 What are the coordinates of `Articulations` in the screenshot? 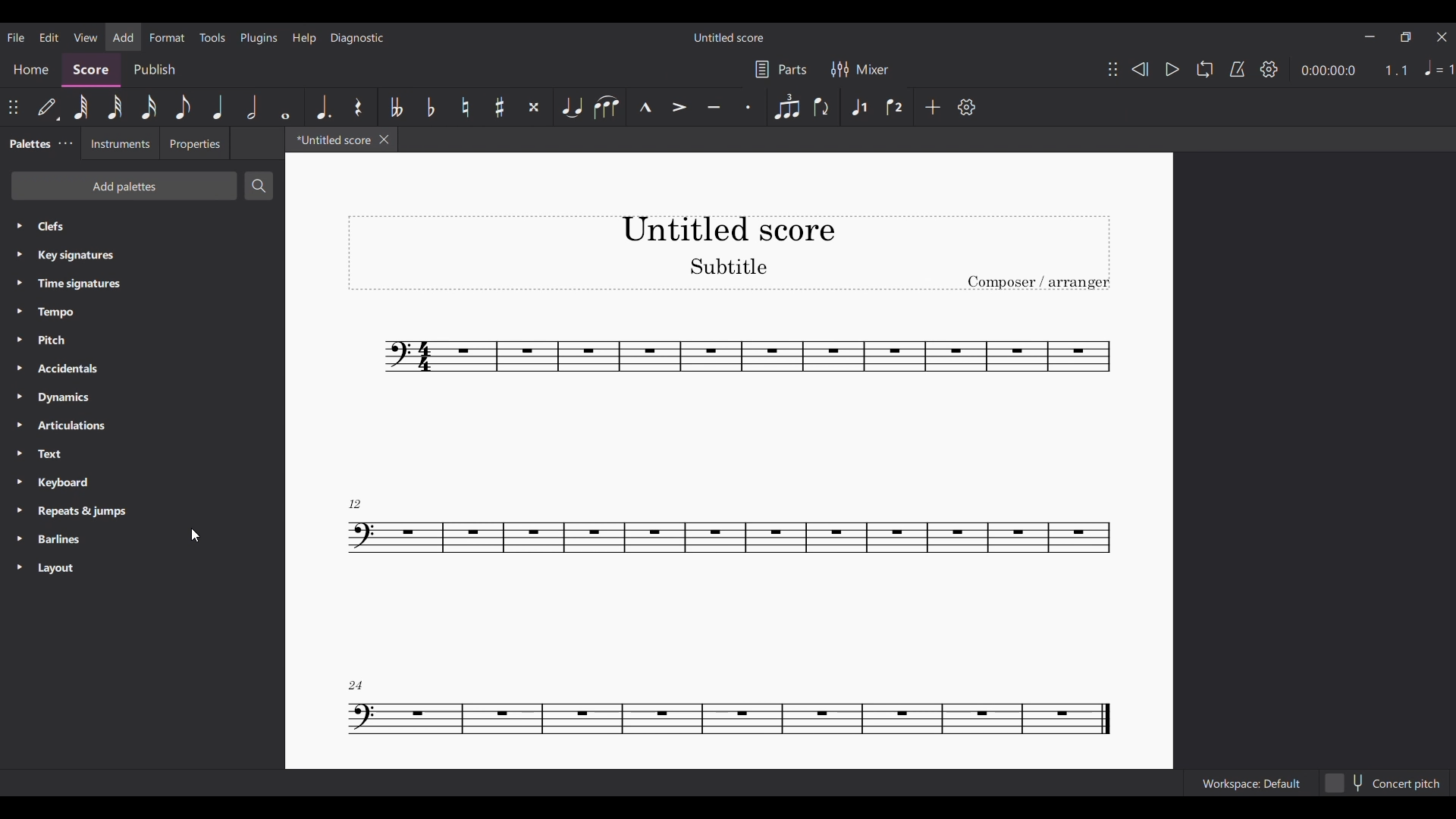 It's located at (64, 428).